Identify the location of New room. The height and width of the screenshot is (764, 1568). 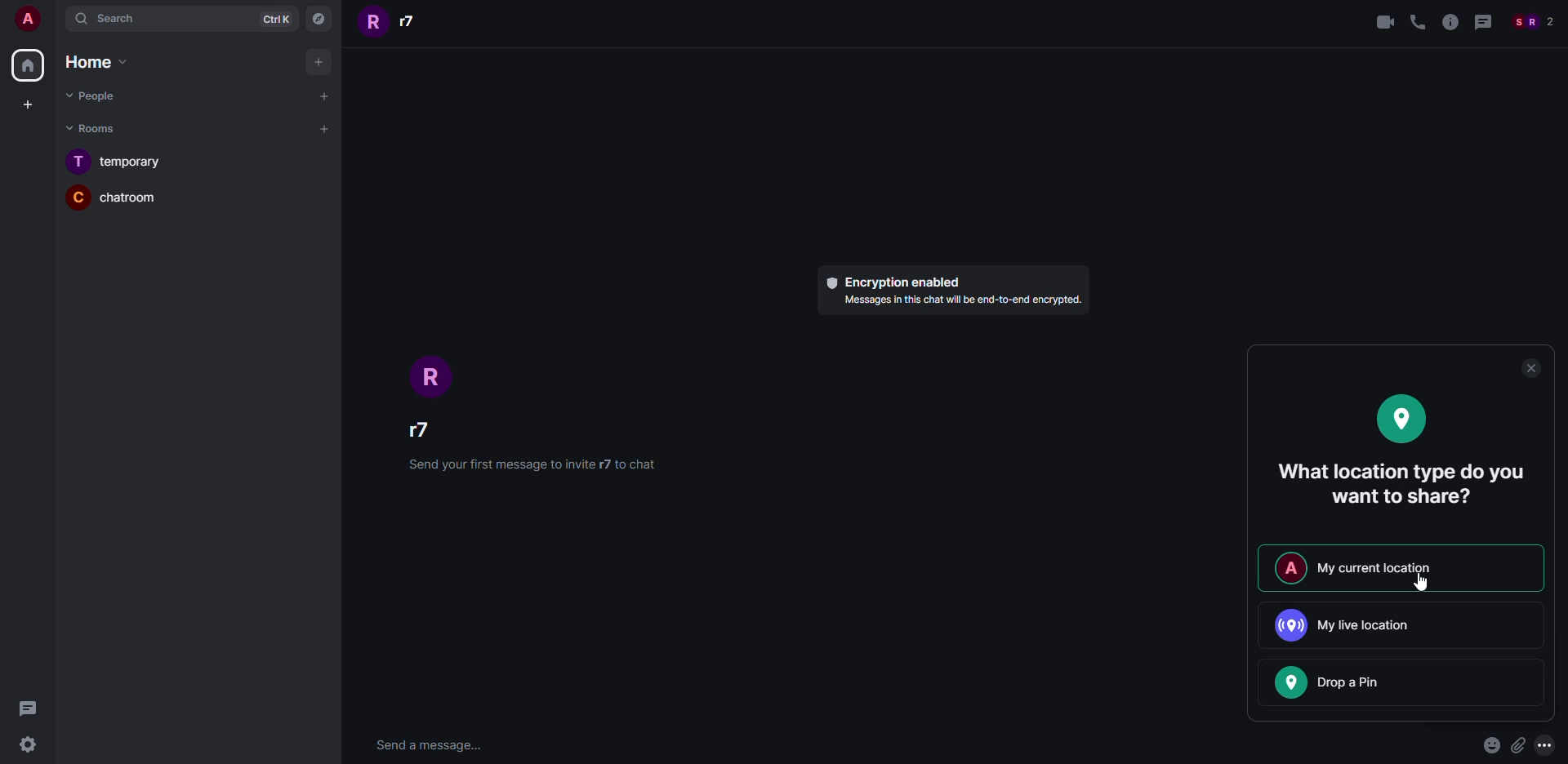
(325, 130).